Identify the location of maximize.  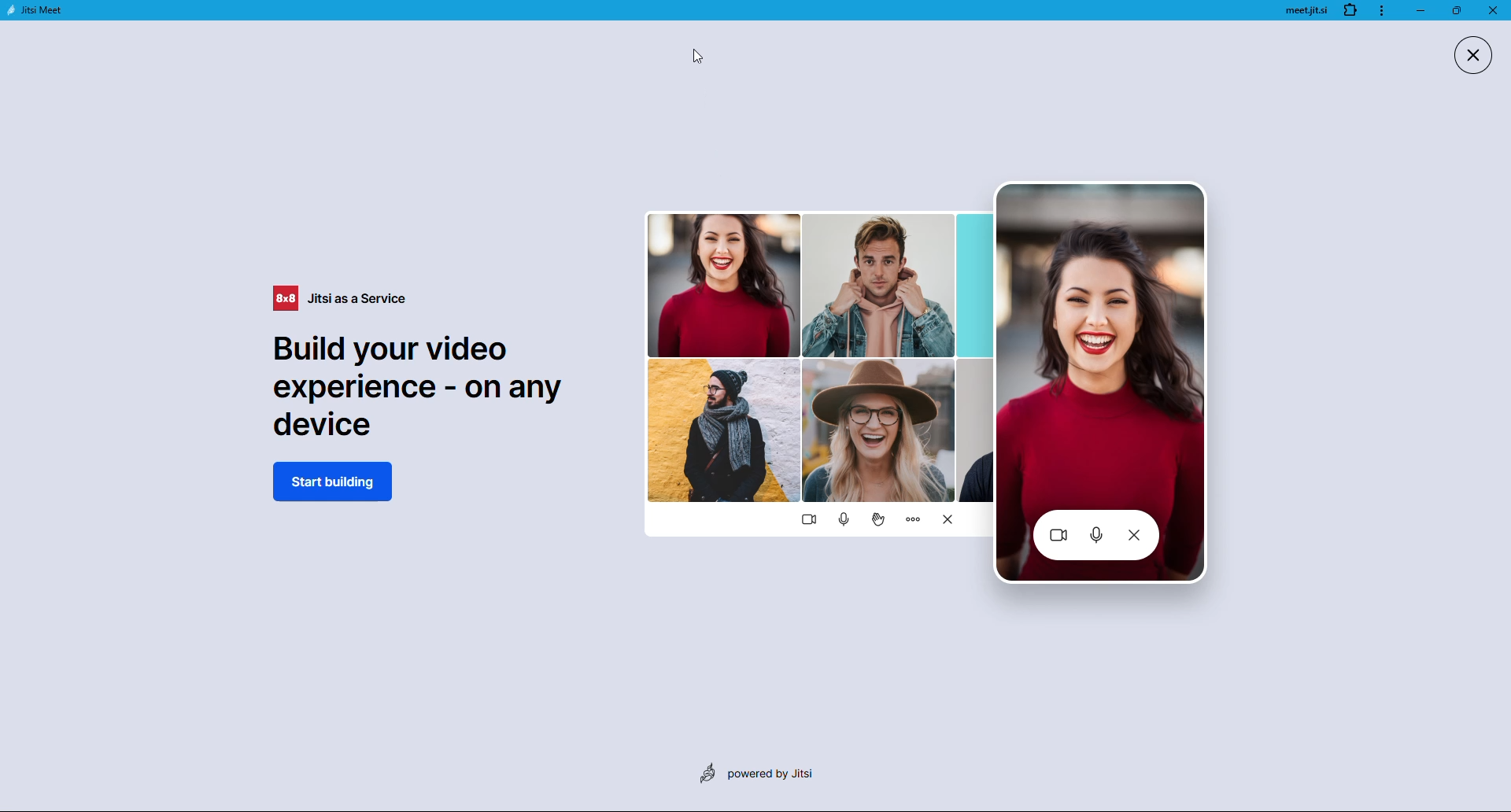
(1457, 11).